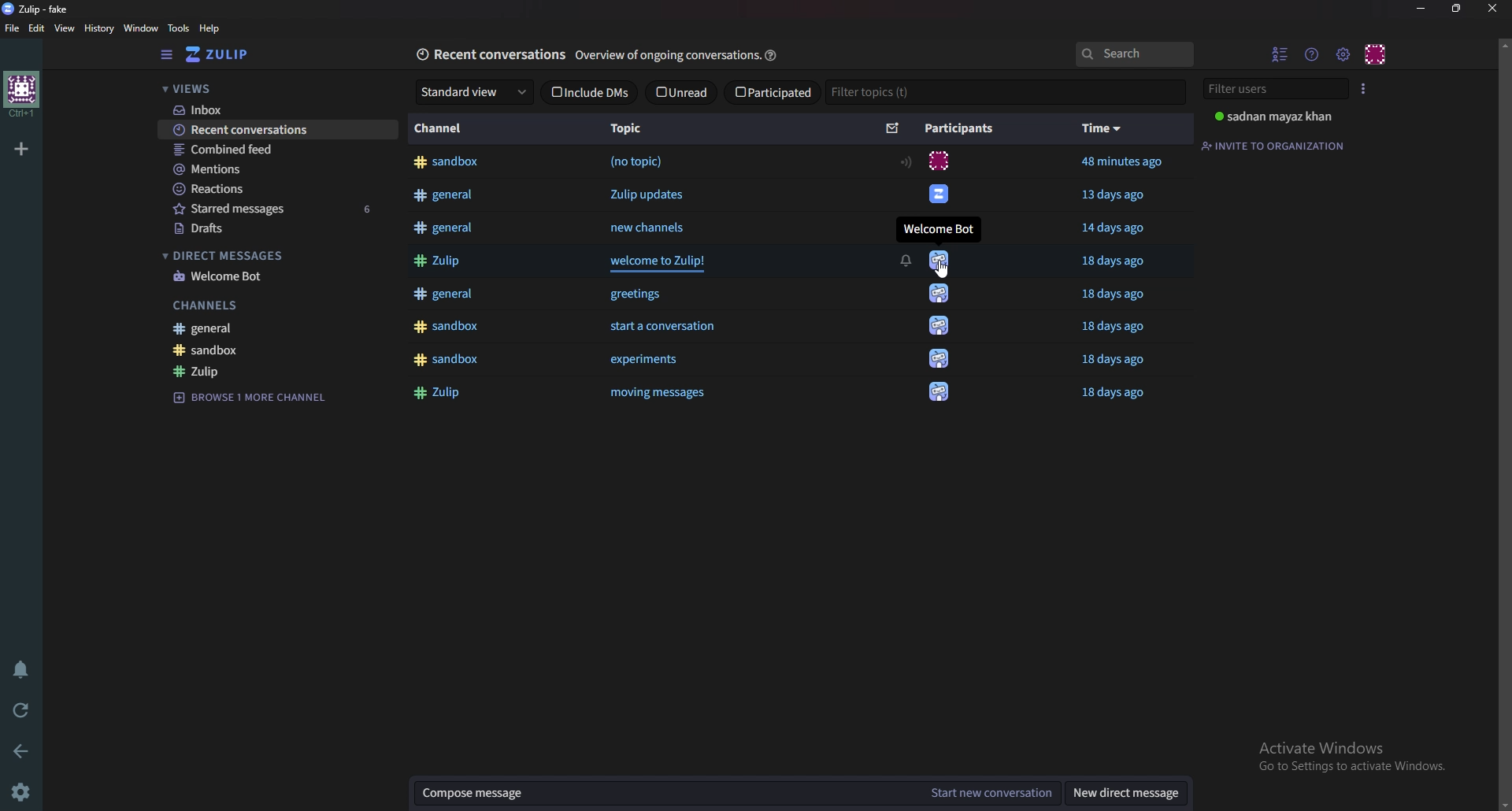 Image resolution: width=1512 pixels, height=811 pixels. What do you see at coordinates (962, 128) in the screenshot?
I see `Participants` at bounding box center [962, 128].